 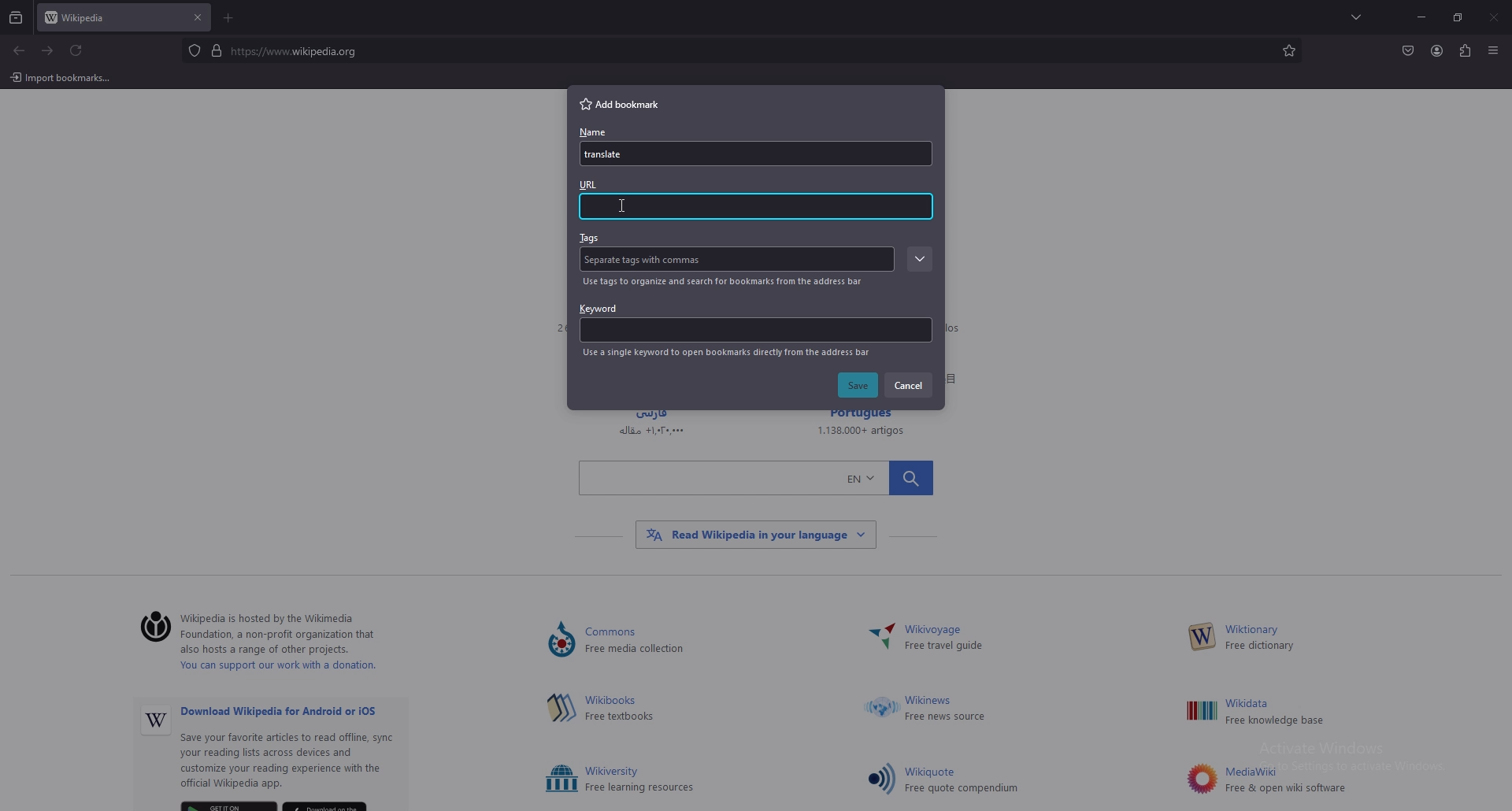 What do you see at coordinates (609, 154) in the screenshot?
I see `name` at bounding box center [609, 154].